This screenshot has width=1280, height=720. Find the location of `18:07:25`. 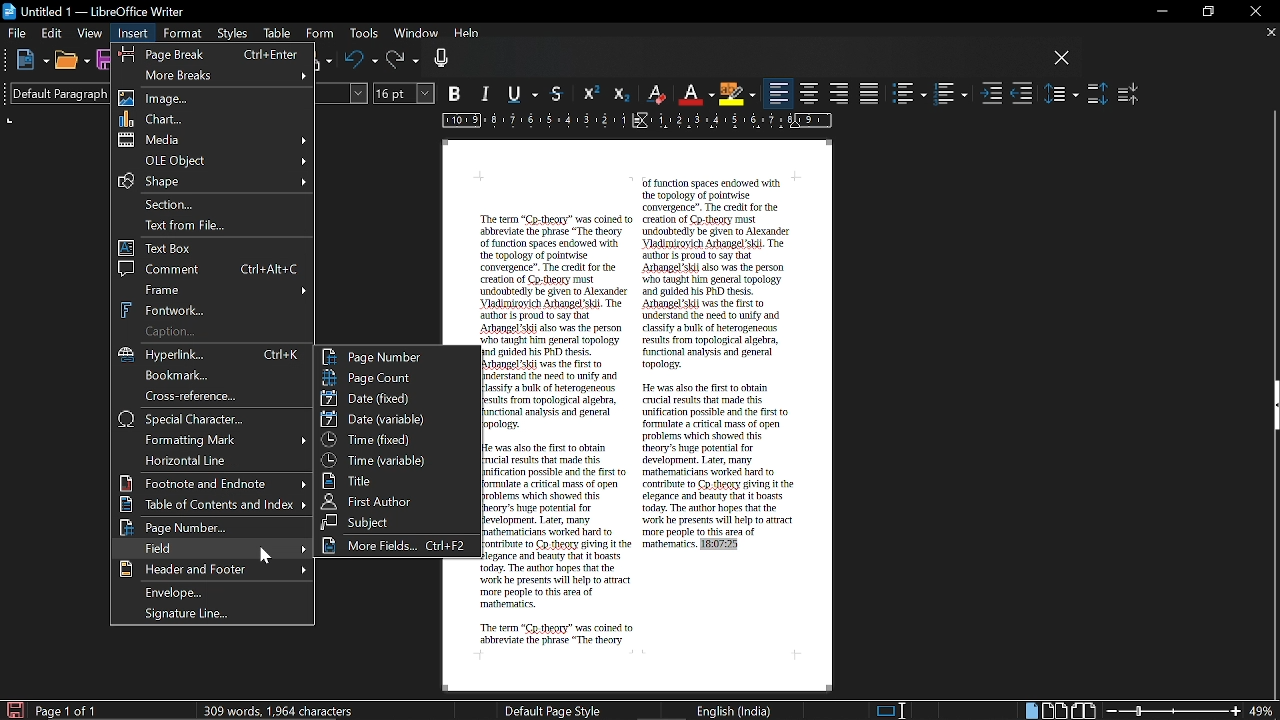

18:07:25 is located at coordinates (719, 545).